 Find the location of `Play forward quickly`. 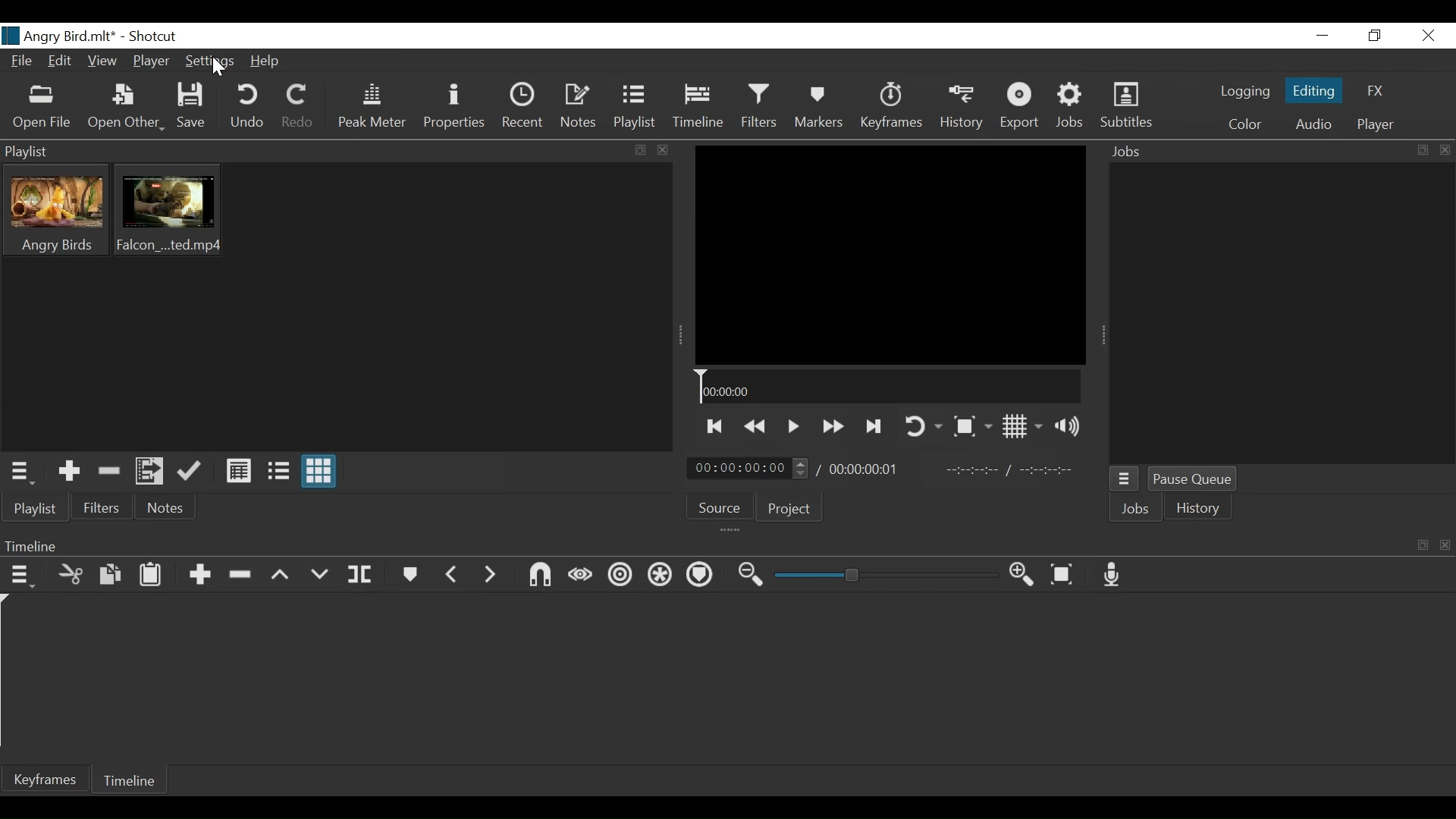

Play forward quickly is located at coordinates (832, 427).